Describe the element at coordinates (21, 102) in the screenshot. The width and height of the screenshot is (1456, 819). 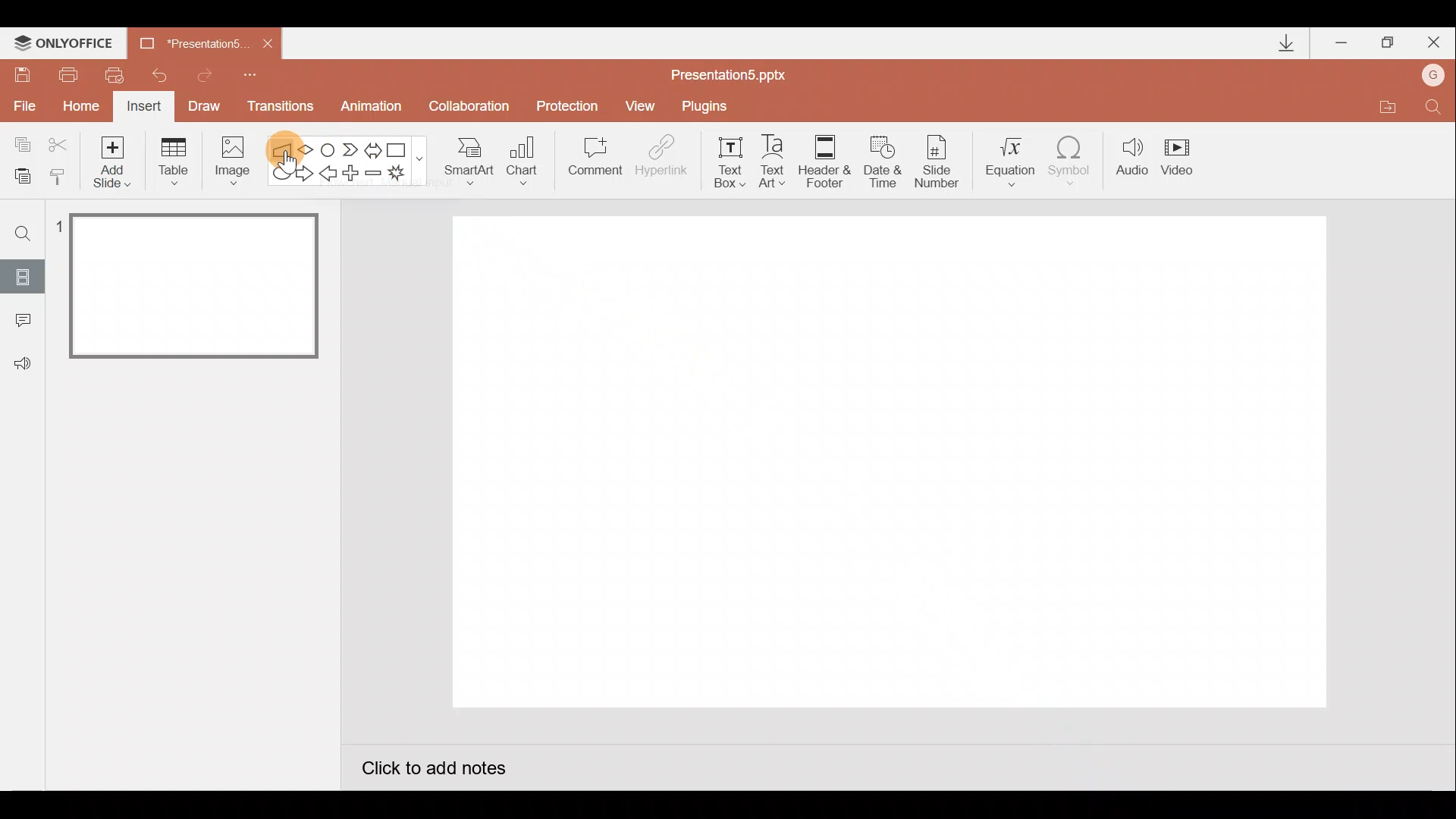
I see `File` at that location.